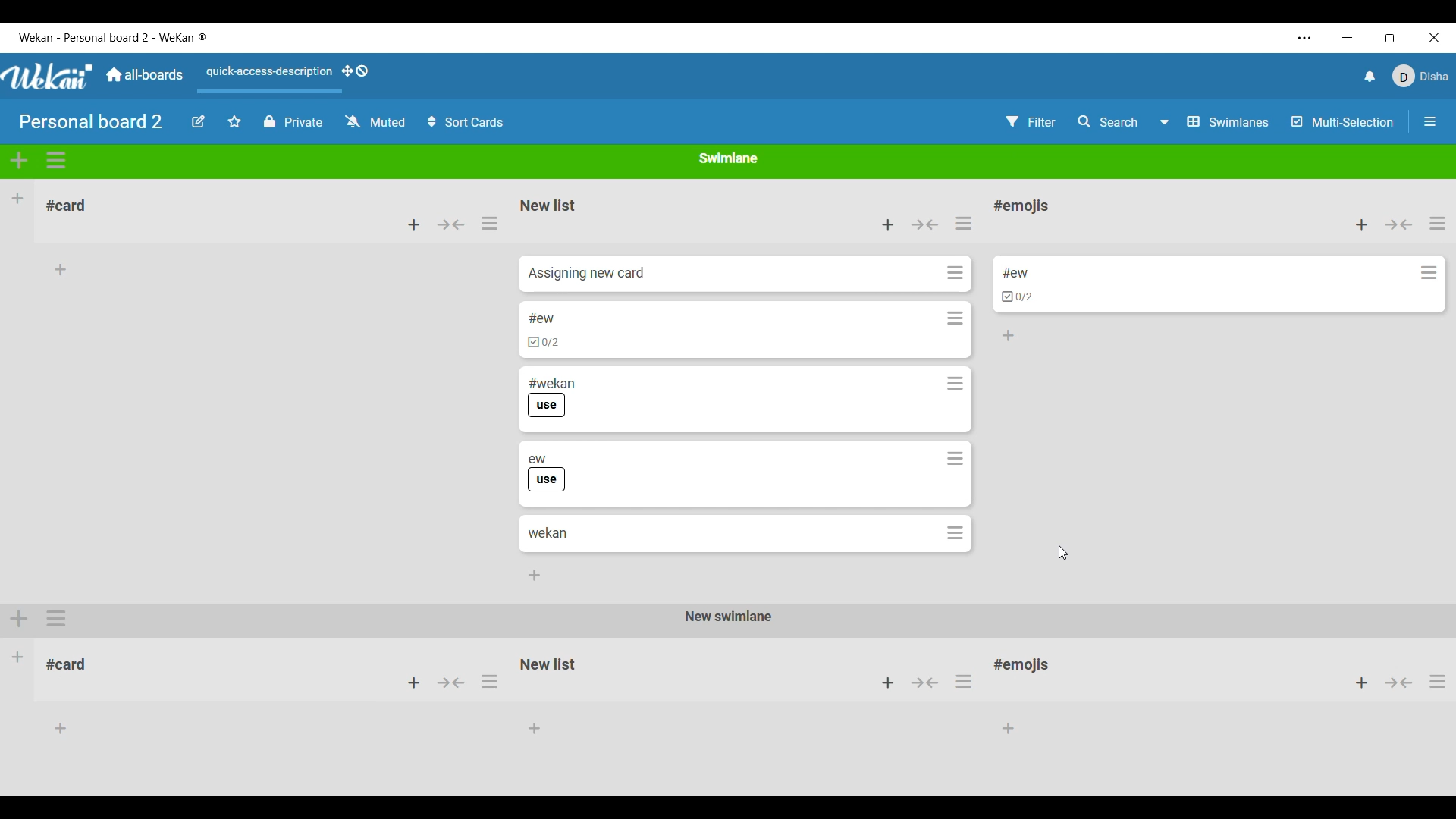 The width and height of the screenshot is (1456, 819). I want to click on Other Swimlane with its respective lists, so click(726, 650).